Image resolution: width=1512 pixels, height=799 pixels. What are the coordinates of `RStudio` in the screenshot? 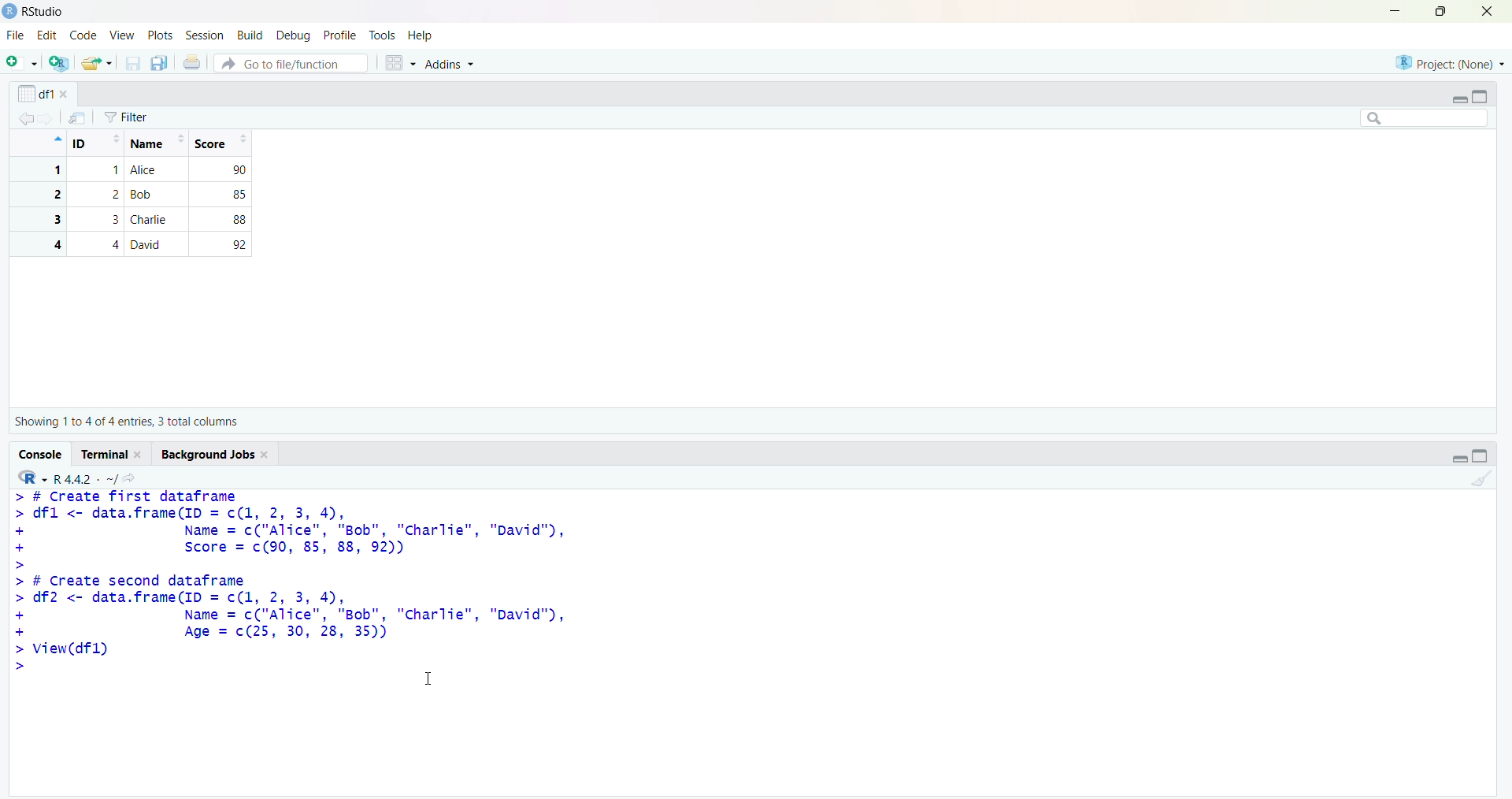 It's located at (45, 12).